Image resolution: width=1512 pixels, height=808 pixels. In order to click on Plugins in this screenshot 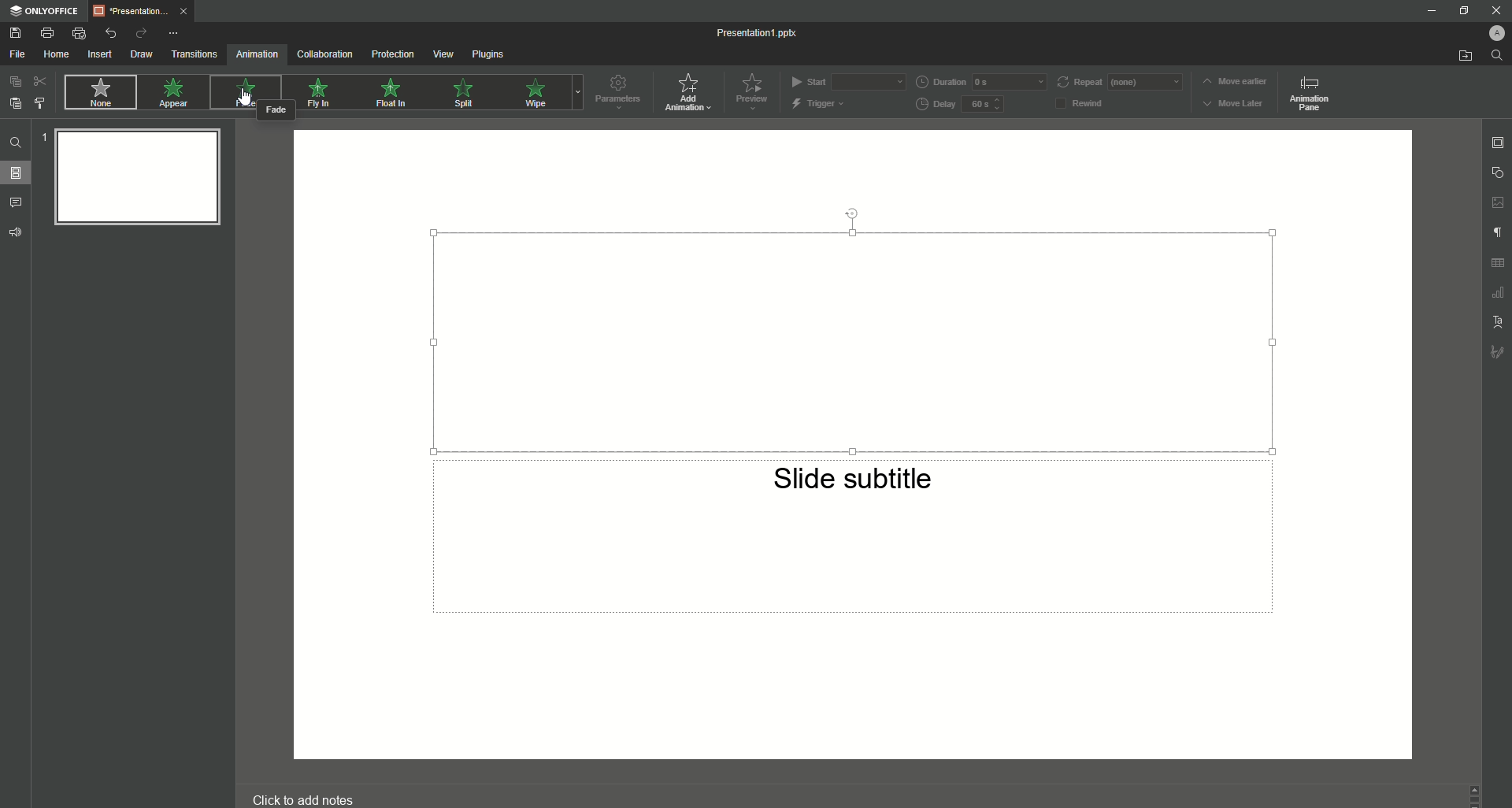, I will do `click(488, 54)`.